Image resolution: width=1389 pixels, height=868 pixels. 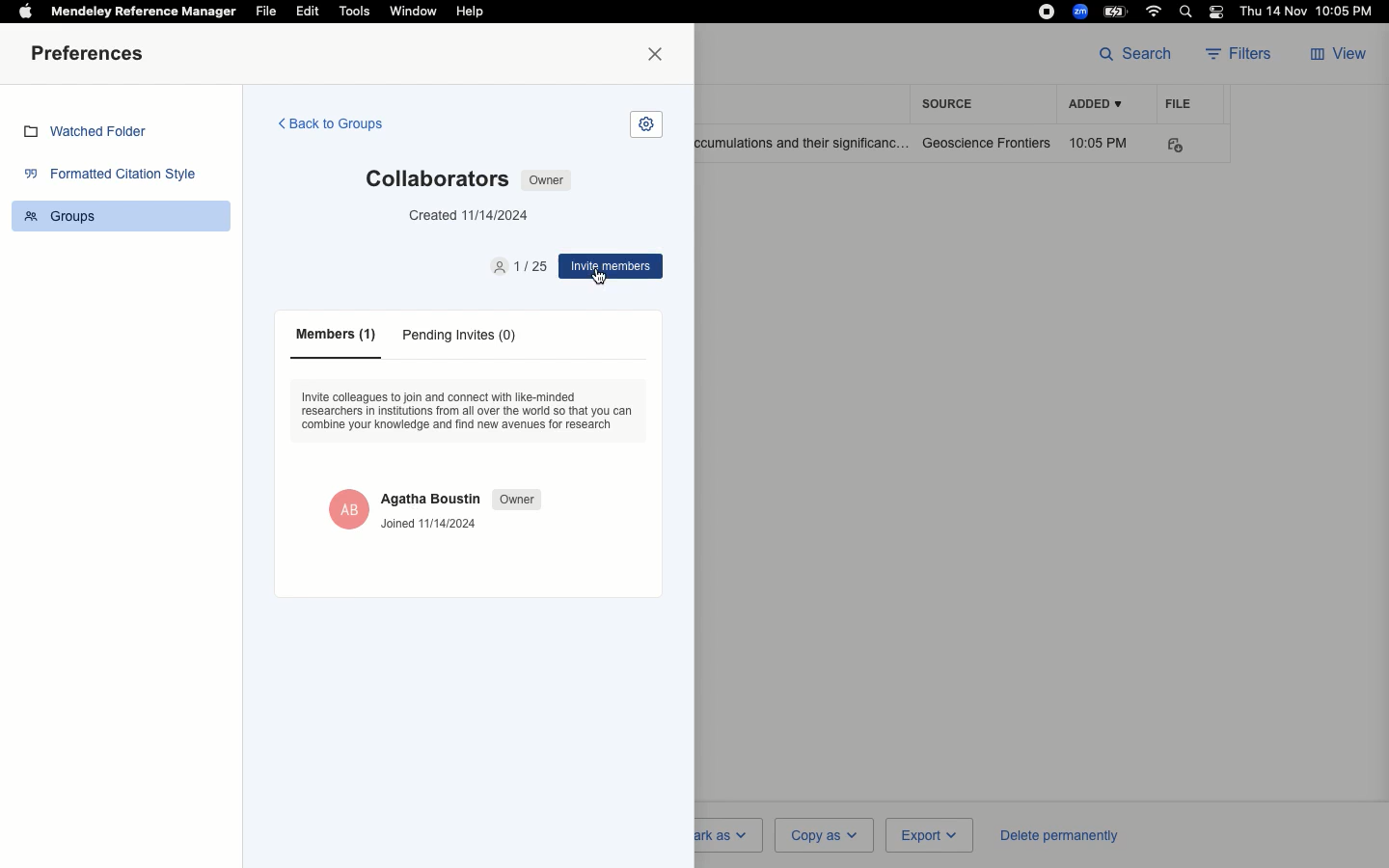 What do you see at coordinates (459, 338) in the screenshot?
I see `Pending invites` at bounding box center [459, 338].